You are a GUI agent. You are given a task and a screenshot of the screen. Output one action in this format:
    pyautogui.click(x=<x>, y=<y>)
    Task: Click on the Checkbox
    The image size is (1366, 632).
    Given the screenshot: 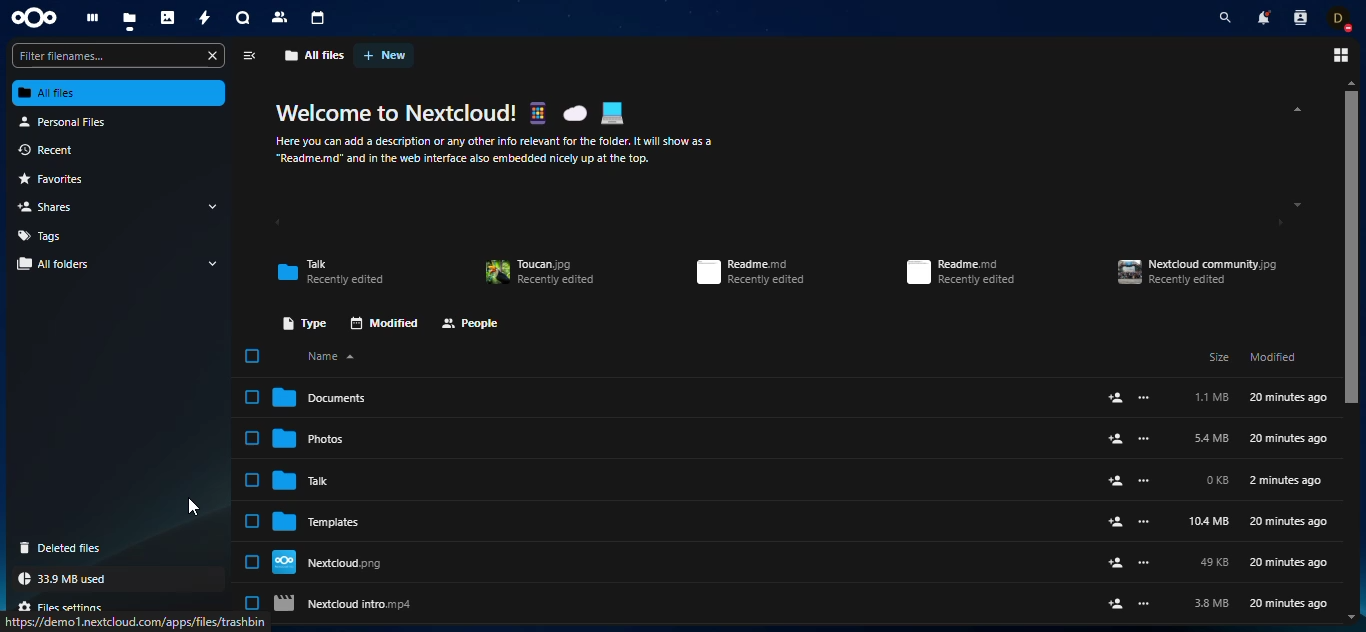 What is the action you would take?
    pyautogui.click(x=250, y=437)
    